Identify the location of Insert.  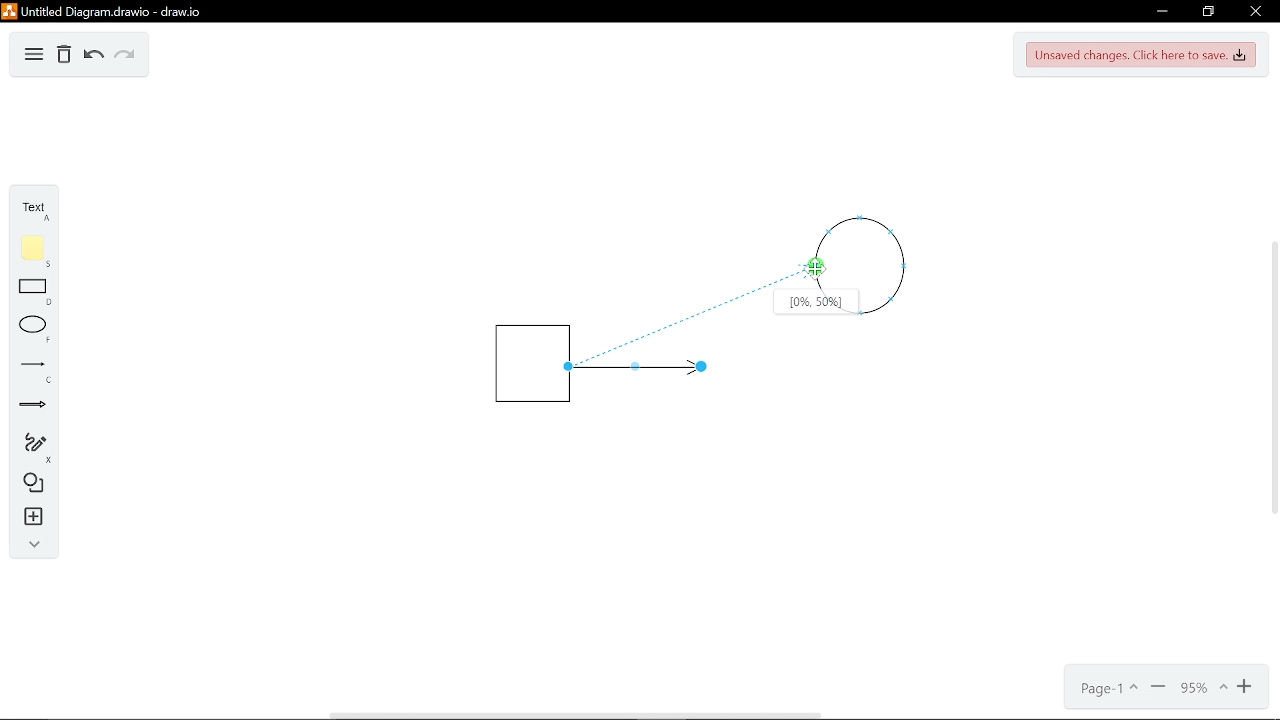
(27, 516).